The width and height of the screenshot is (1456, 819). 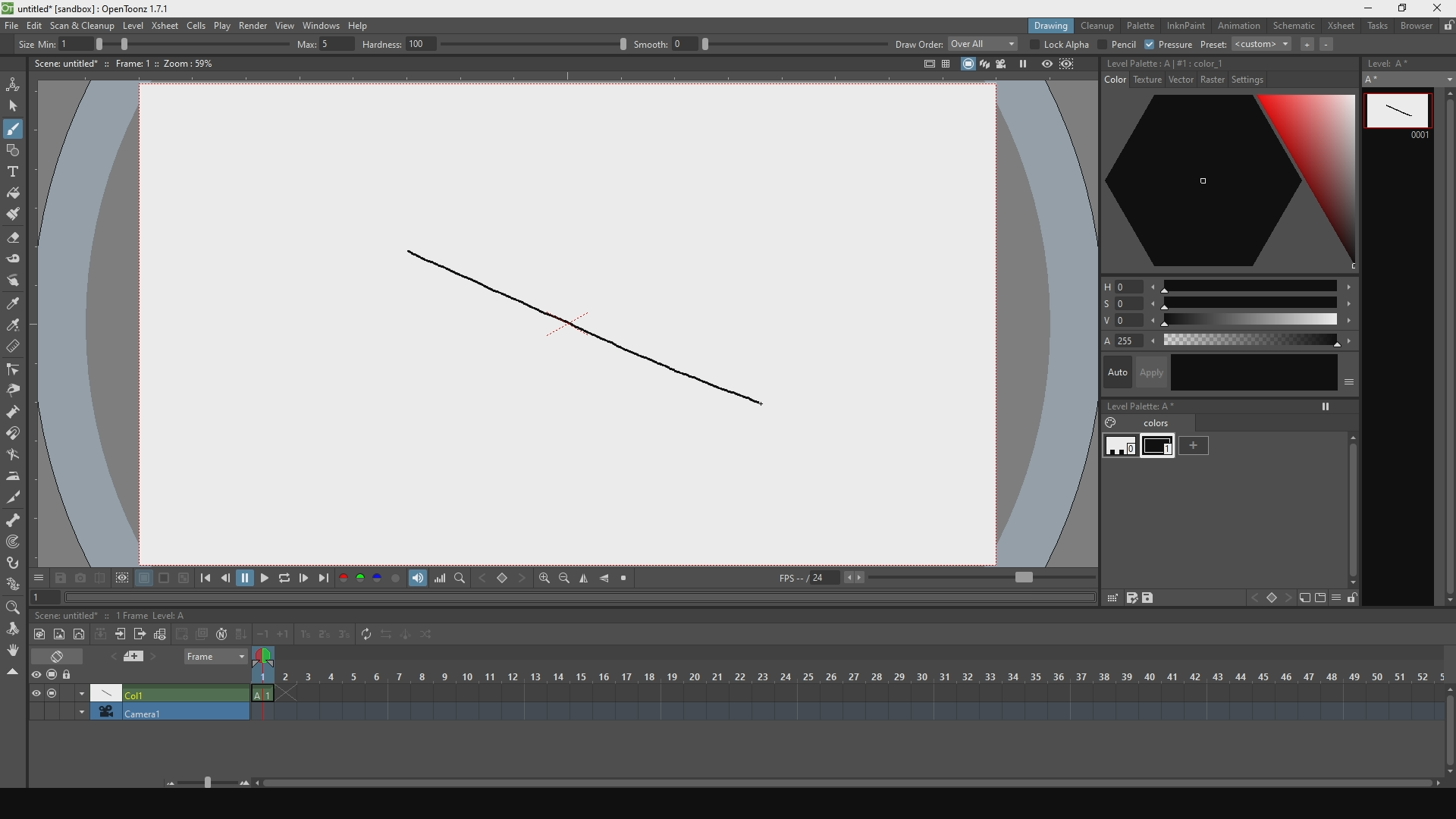 What do you see at coordinates (14, 106) in the screenshot?
I see `select` at bounding box center [14, 106].